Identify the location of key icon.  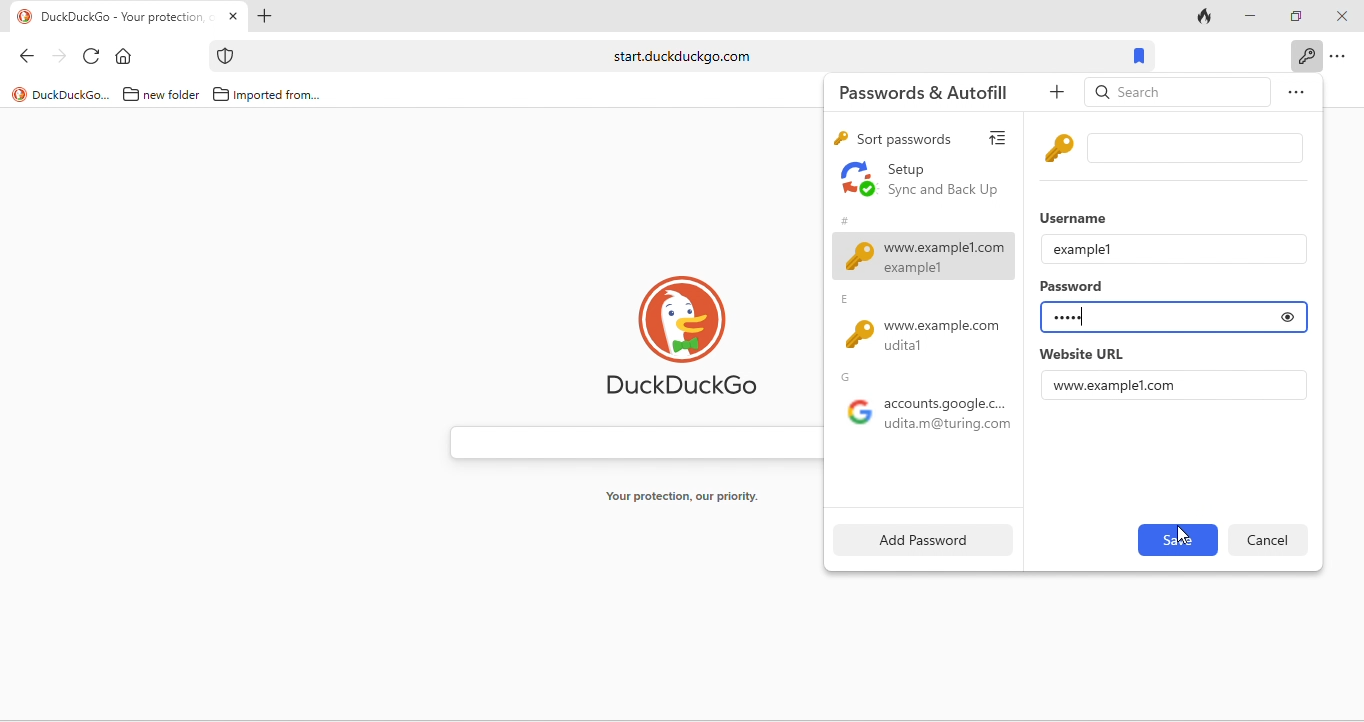
(1061, 147).